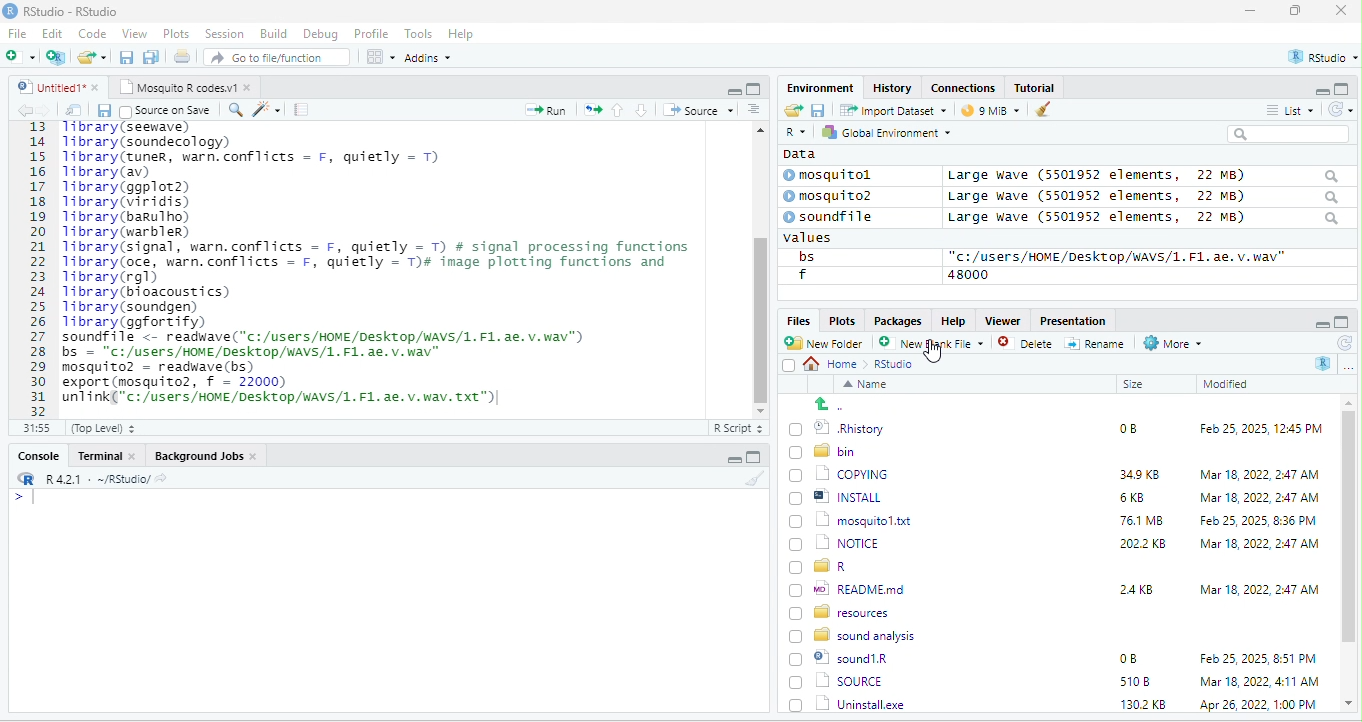  I want to click on Background Jobs, so click(205, 455).